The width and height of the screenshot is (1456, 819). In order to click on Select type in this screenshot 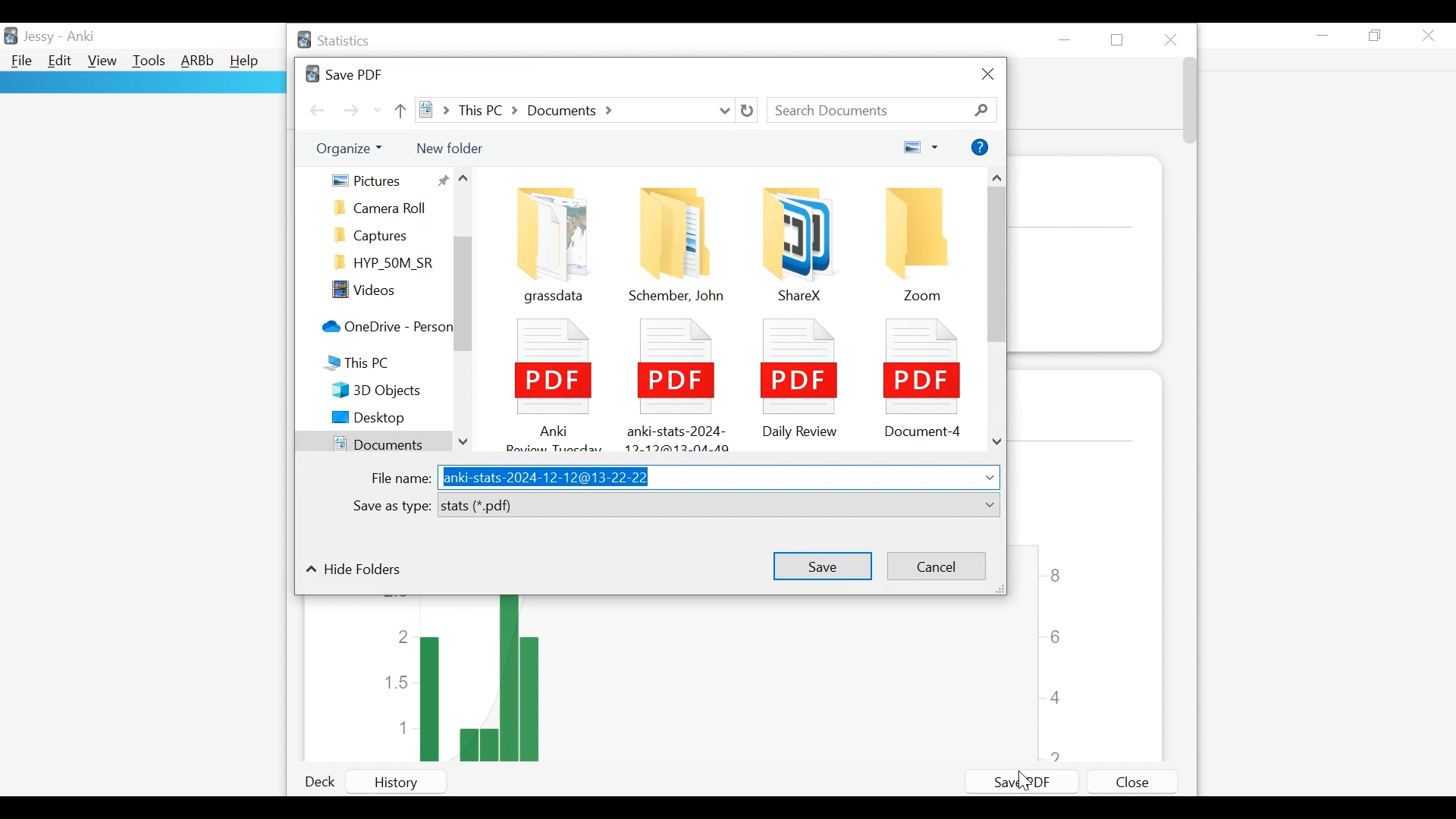, I will do `click(718, 506)`.